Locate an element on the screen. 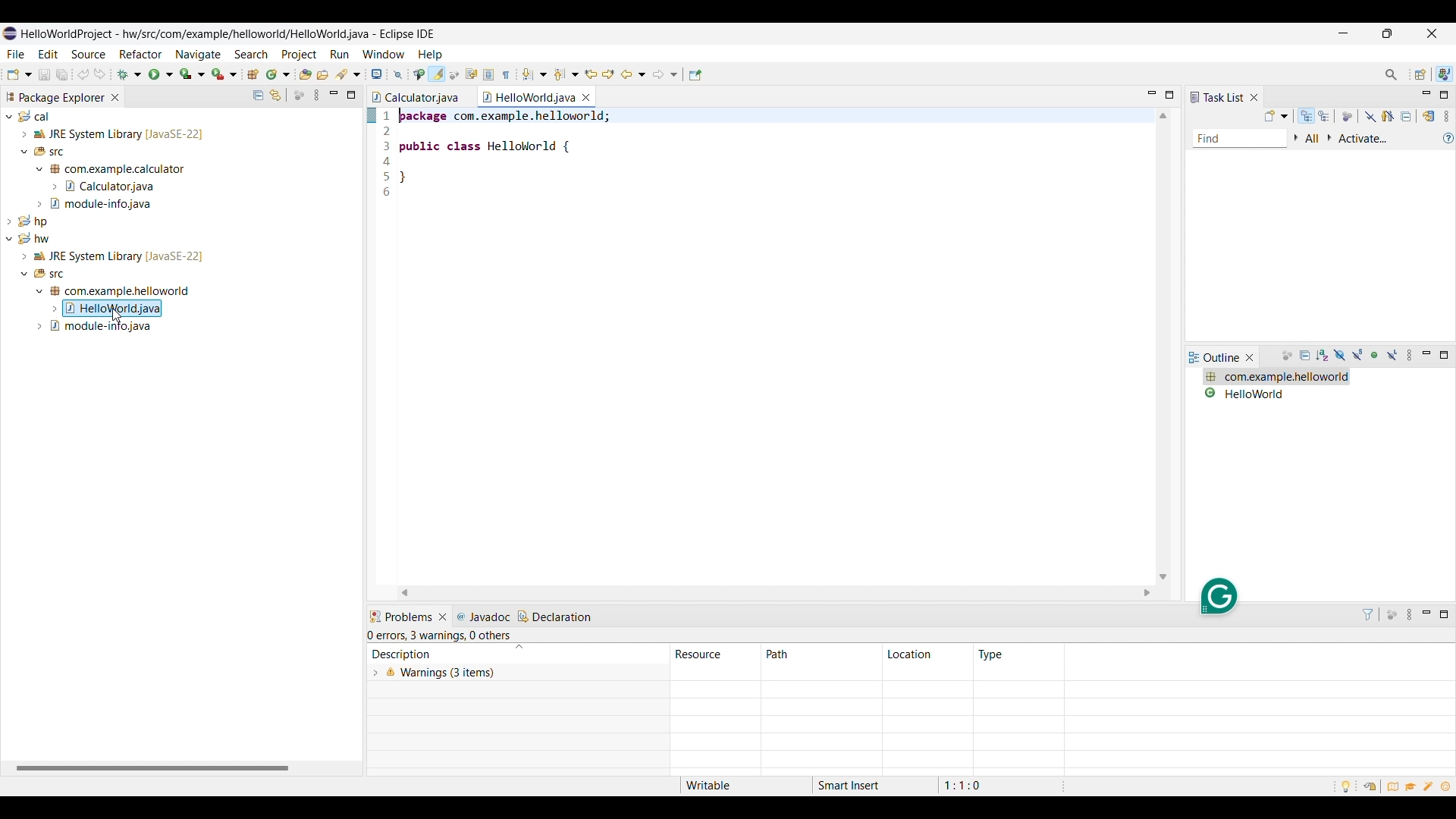 Image resolution: width=1456 pixels, height=819 pixels. Select working set is located at coordinates (1296, 138).